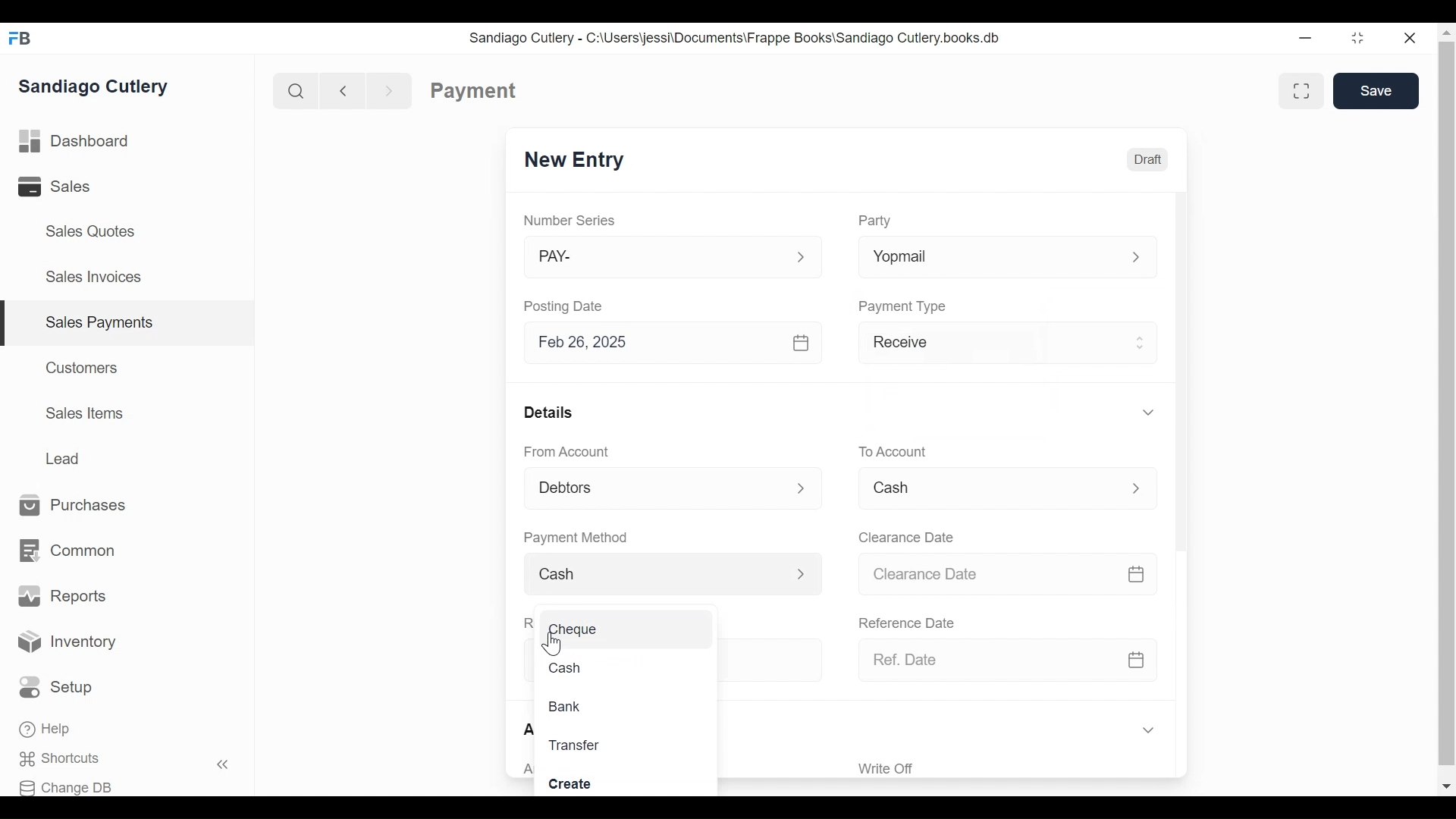 The image size is (1456, 819). Describe the element at coordinates (66, 551) in the screenshot. I see `Common` at that location.